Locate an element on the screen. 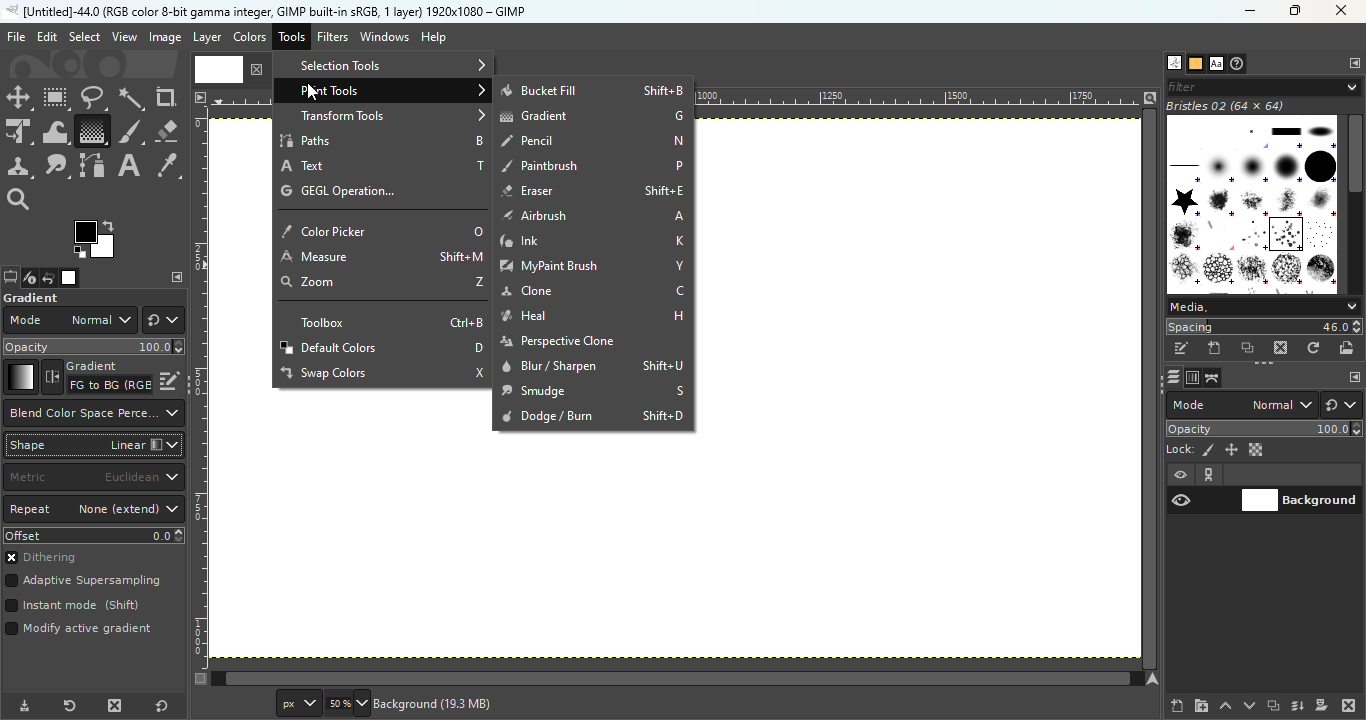 This screenshot has height=720, width=1366. Delete tool preset is located at coordinates (110, 706).